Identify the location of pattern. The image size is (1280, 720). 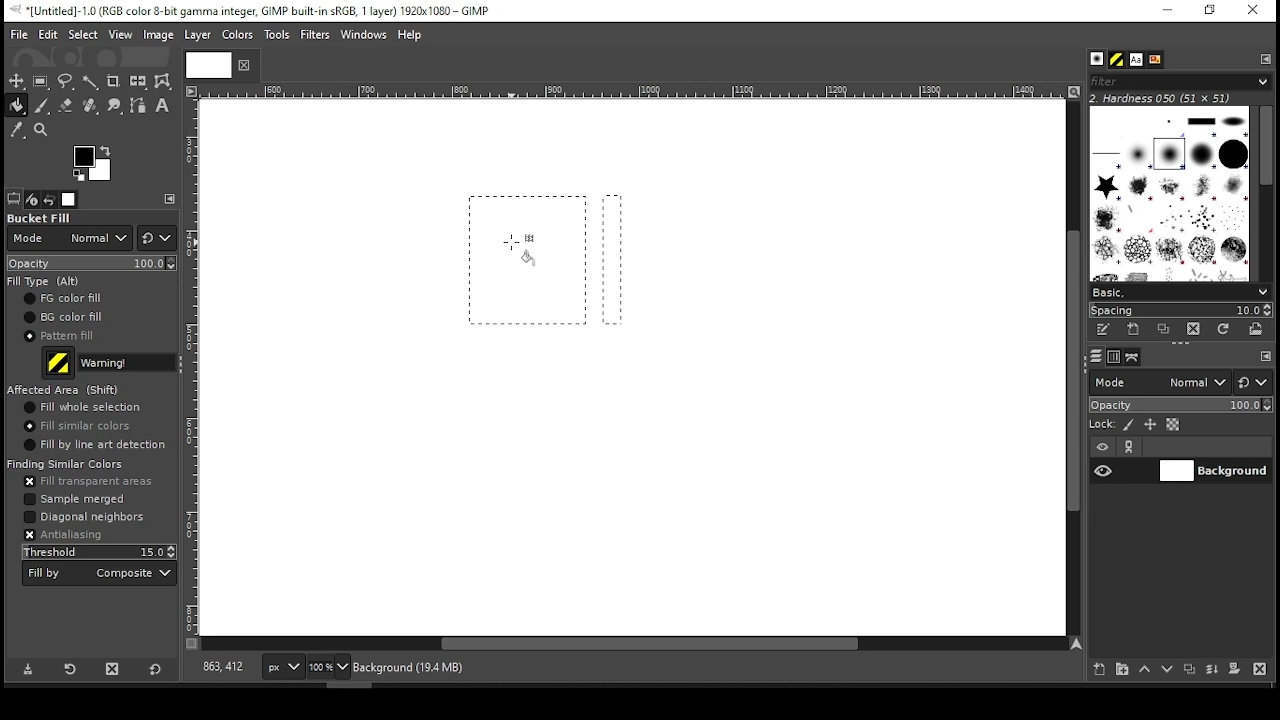
(1117, 60).